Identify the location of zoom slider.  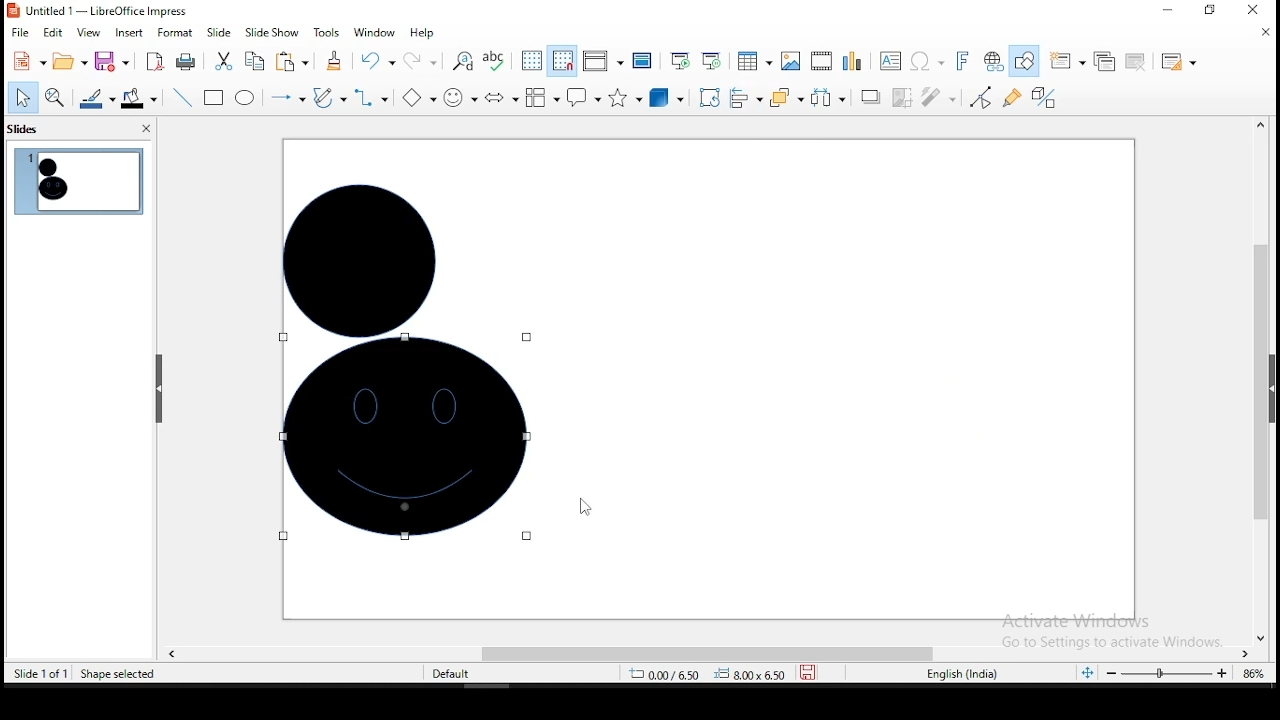
(1161, 675).